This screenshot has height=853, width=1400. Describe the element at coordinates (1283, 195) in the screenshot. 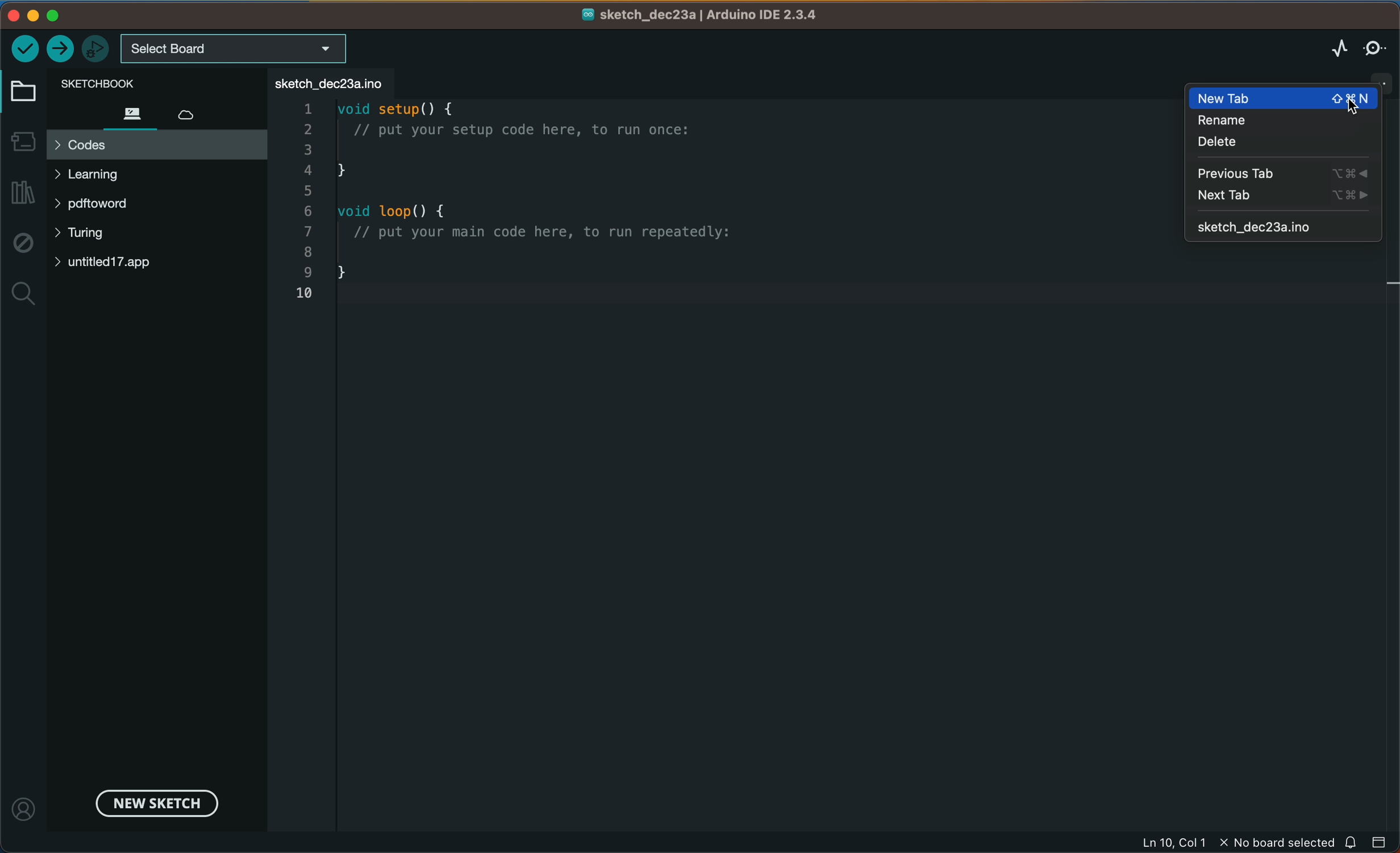

I see `next tab` at that location.